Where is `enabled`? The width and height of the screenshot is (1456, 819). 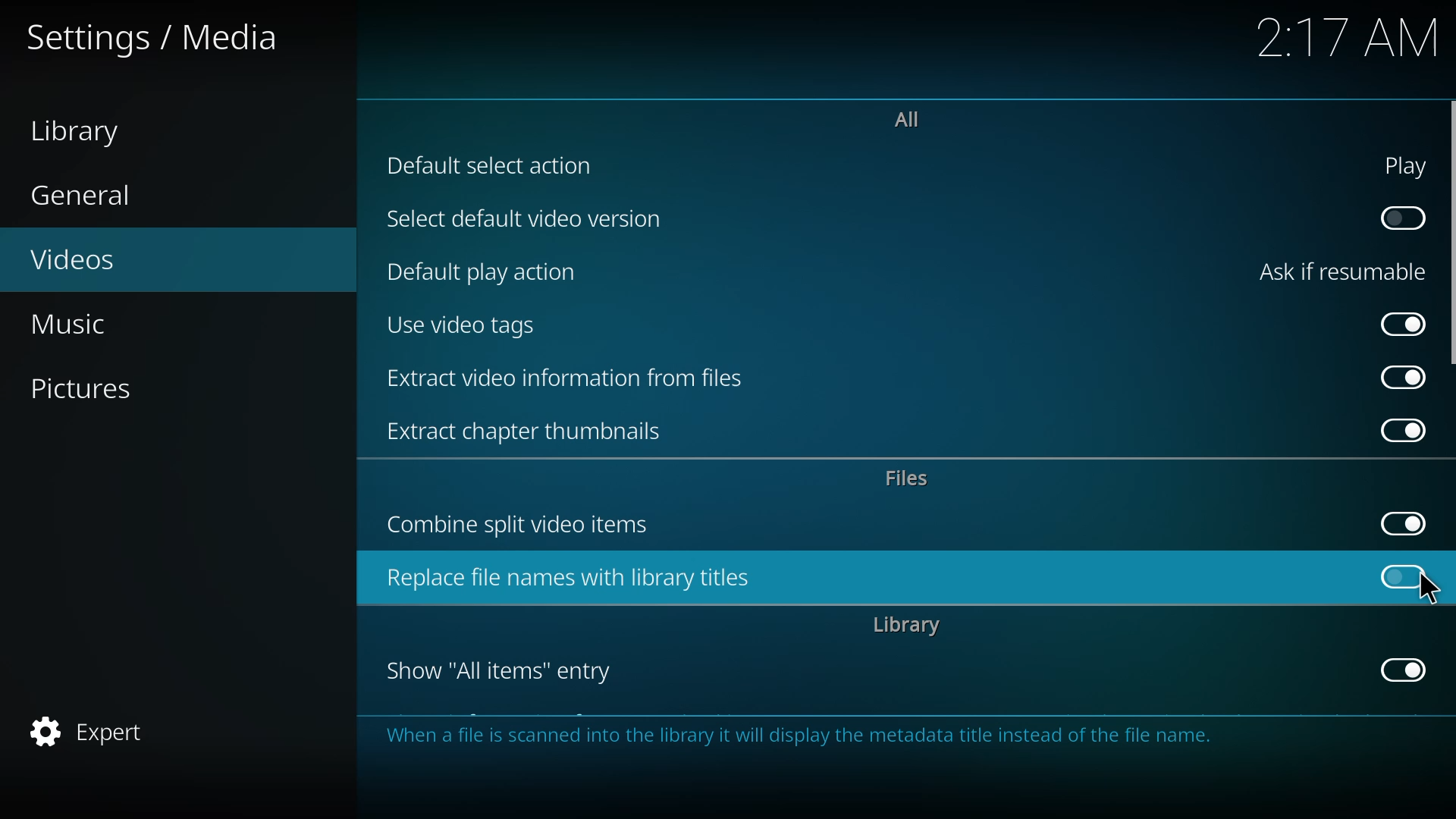 enabled is located at coordinates (1398, 377).